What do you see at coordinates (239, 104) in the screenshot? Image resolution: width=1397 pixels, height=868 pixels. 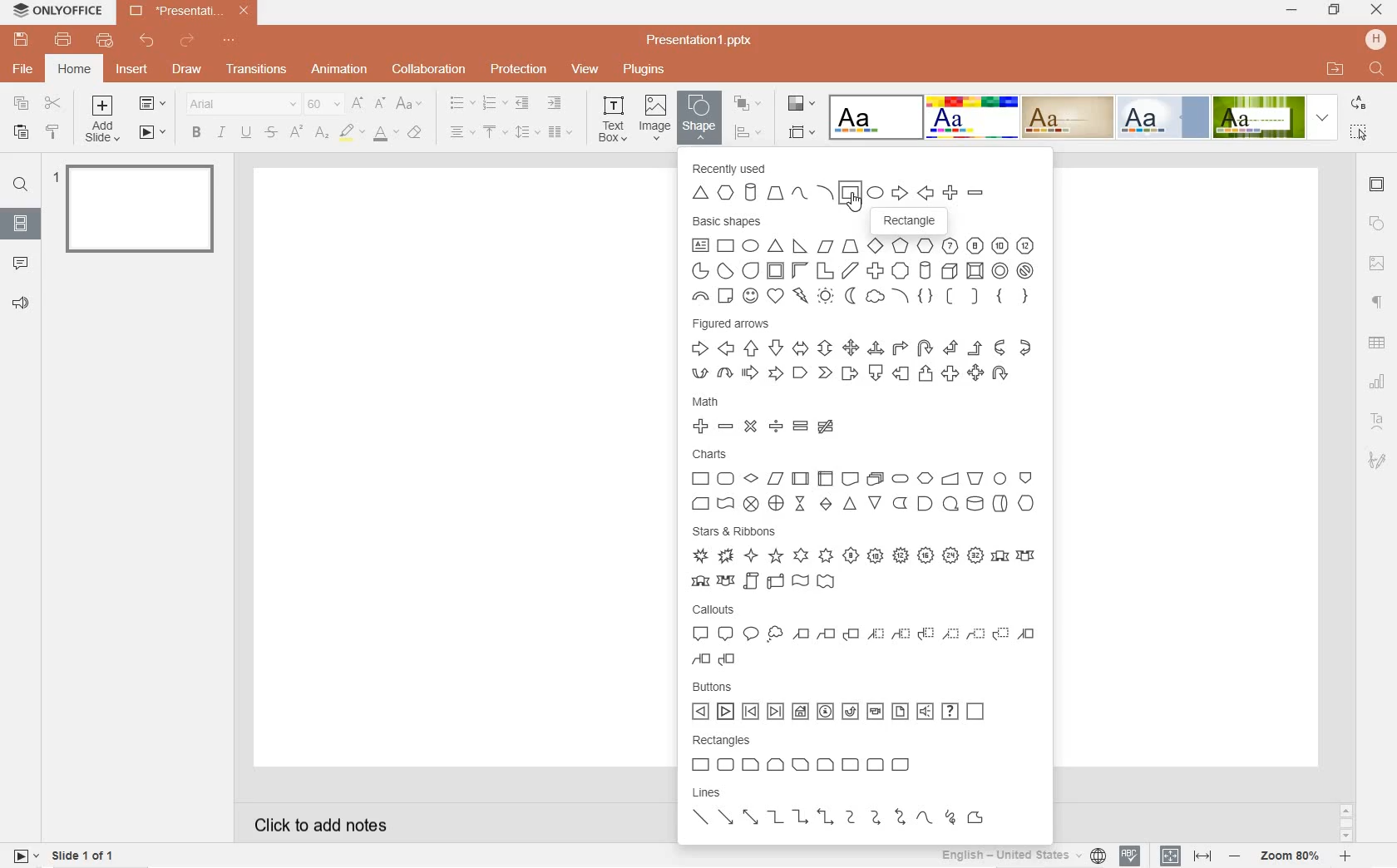 I see `font name: Arial` at bounding box center [239, 104].